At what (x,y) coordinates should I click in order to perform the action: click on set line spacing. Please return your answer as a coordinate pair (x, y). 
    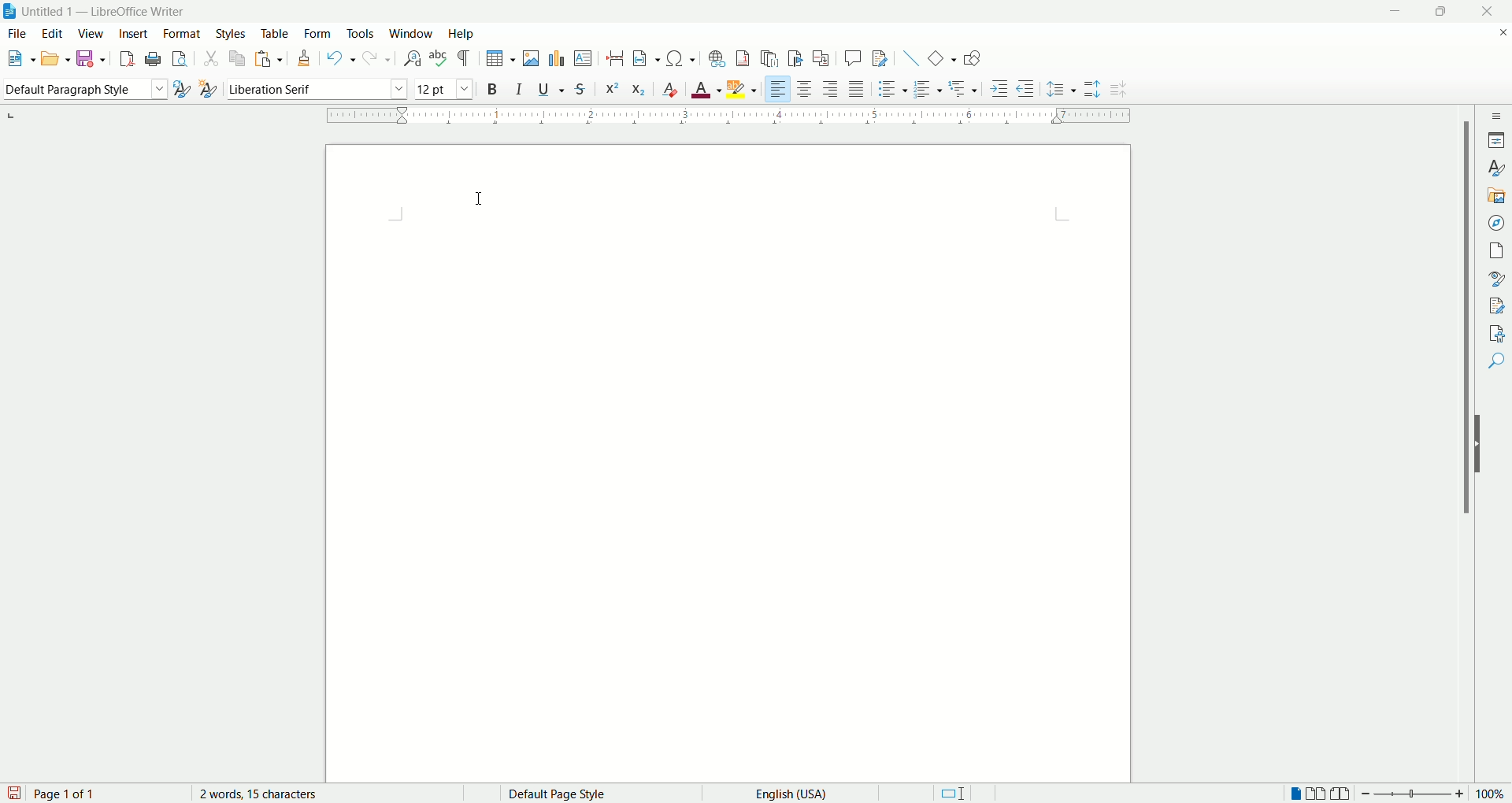
    Looking at the image, I should click on (1061, 88).